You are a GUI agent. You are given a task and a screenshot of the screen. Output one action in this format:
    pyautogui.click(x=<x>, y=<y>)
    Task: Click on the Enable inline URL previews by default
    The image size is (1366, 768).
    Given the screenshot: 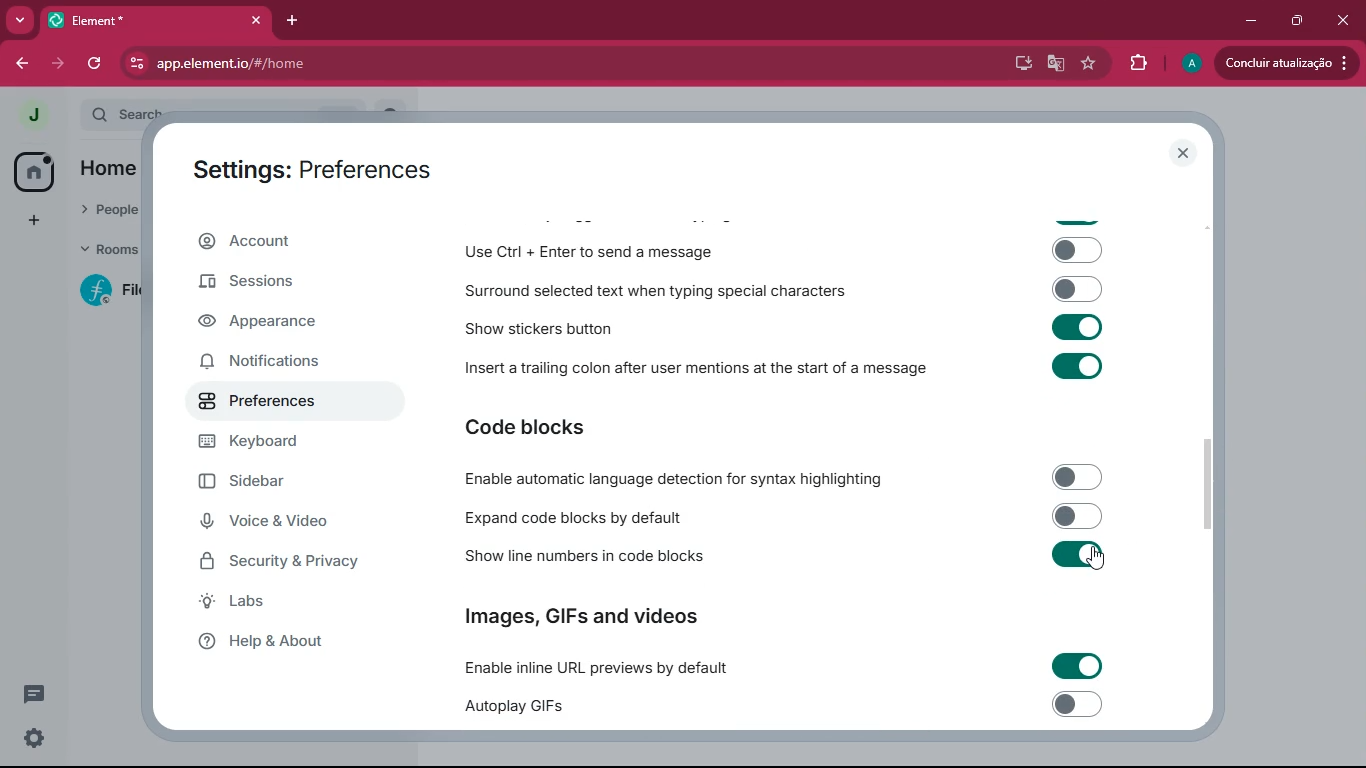 What is the action you would take?
    pyautogui.click(x=781, y=667)
    